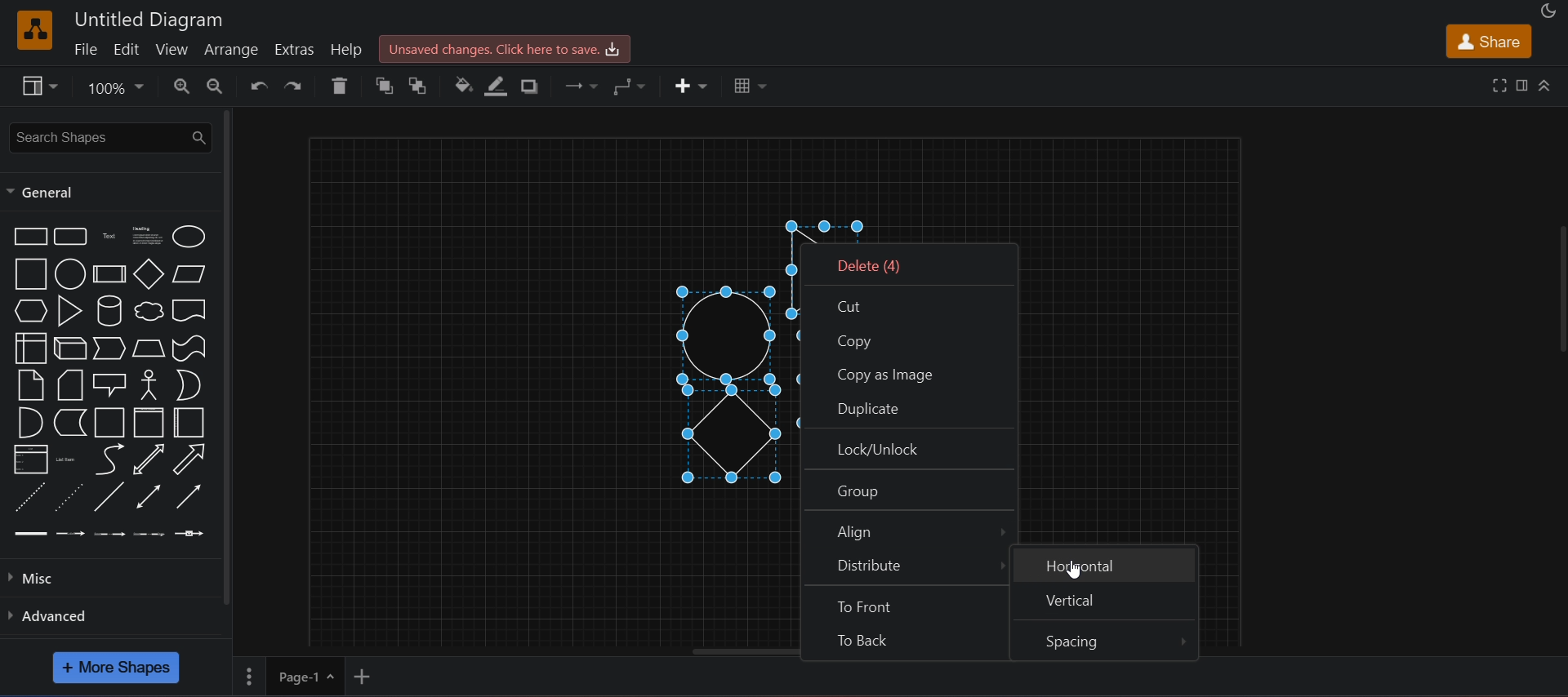  Describe the element at coordinates (1546, 84) in the screenshot. I see `collapase/expand` at that location.